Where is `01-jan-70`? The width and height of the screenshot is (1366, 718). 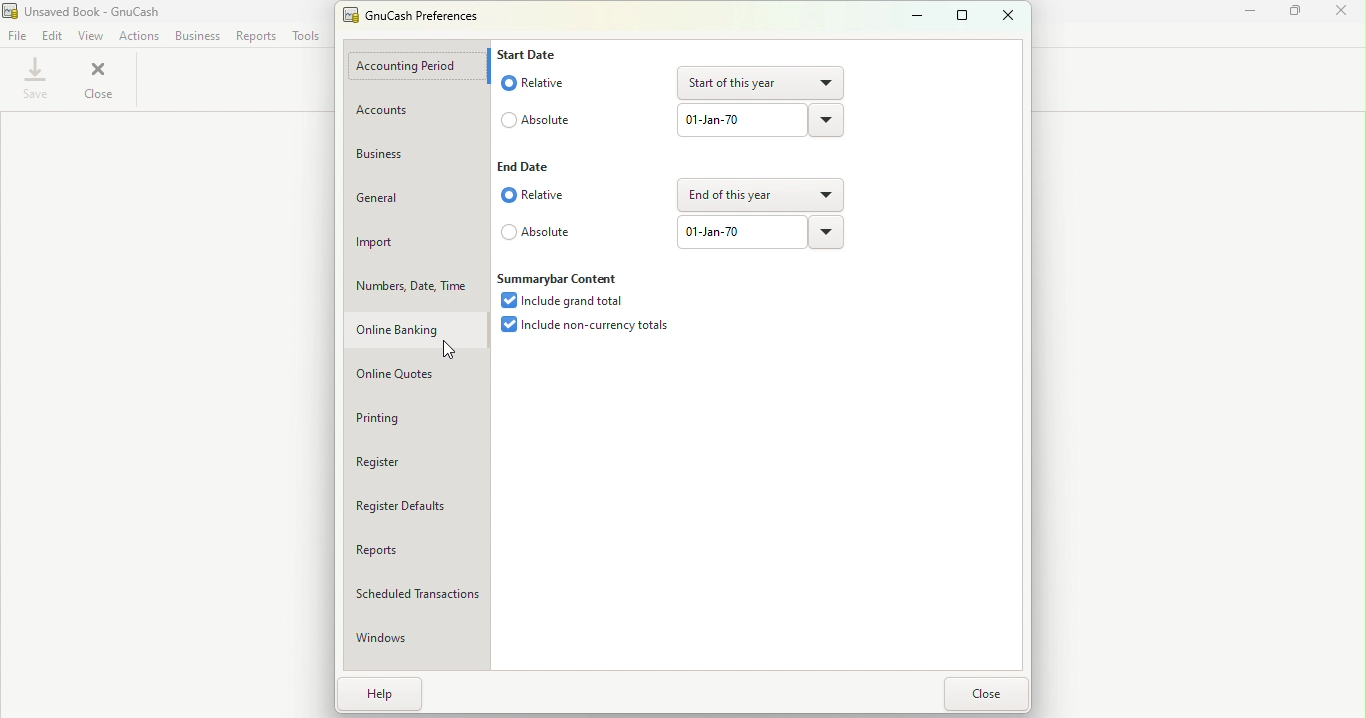
01-jan-70 is located at coordinates (735, 233).